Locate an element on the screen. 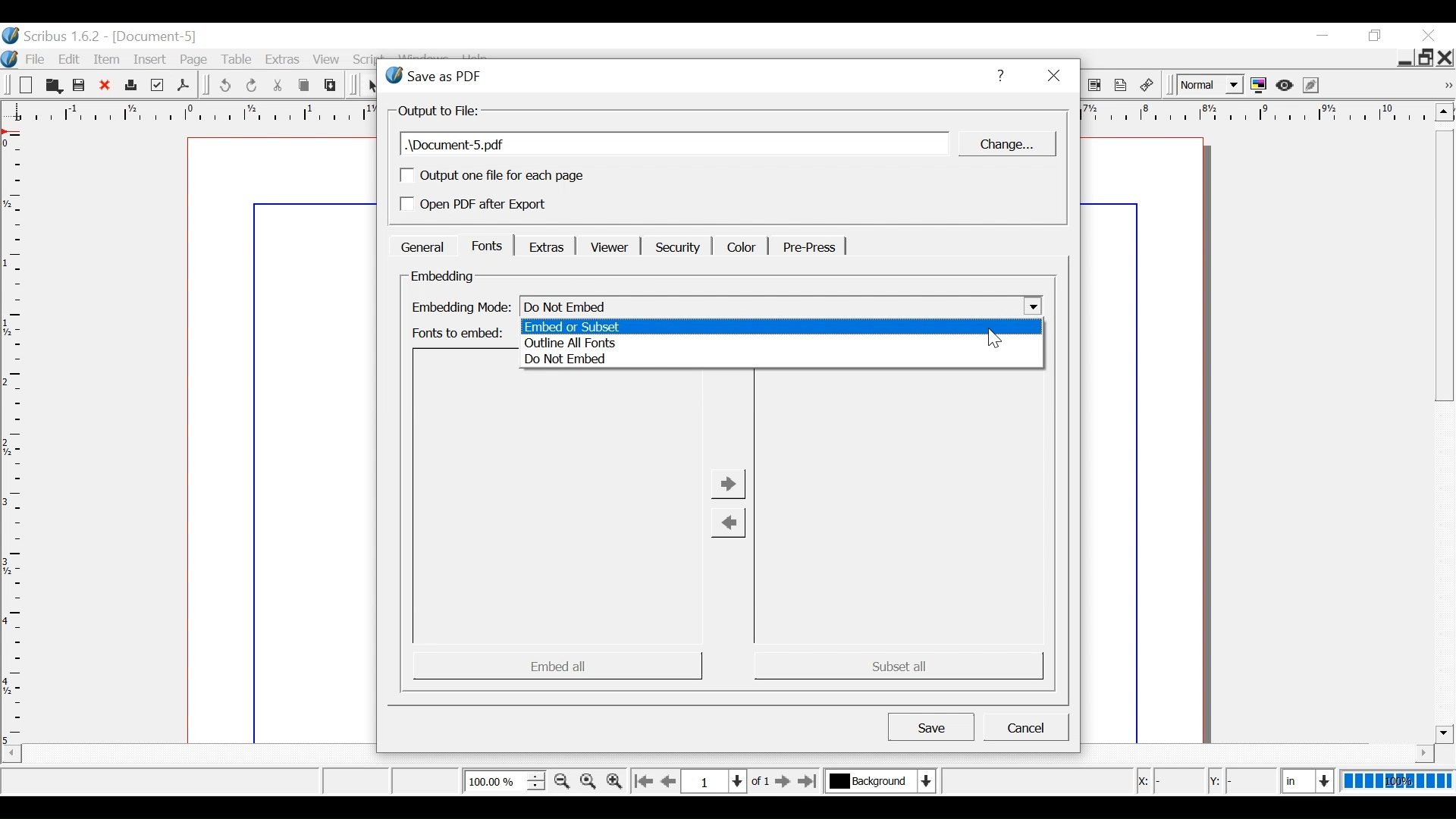 The image size is (1456, 819). Restore is located at coordinates (1425, 58).